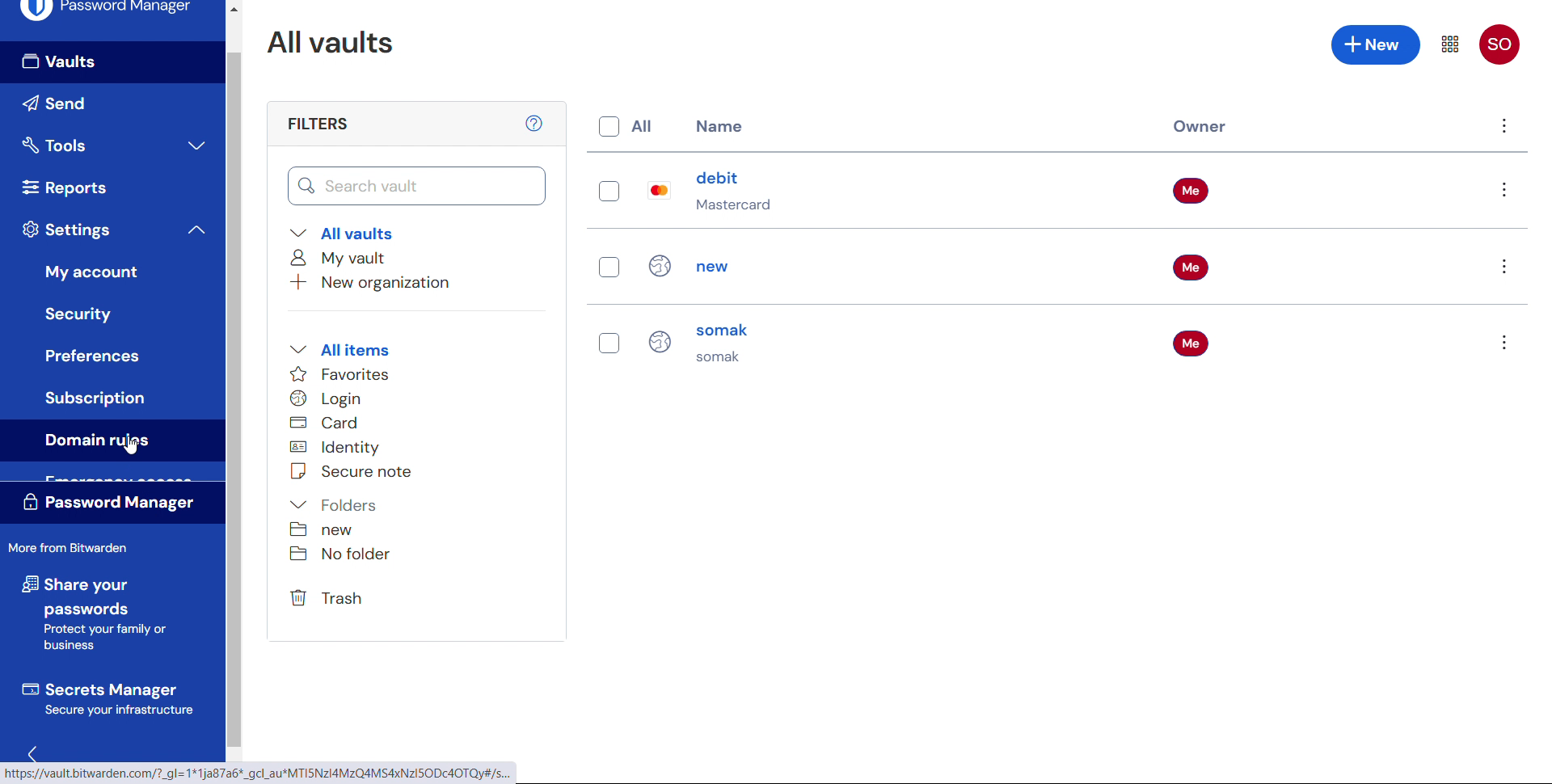 The image size is (1552, 784). I want to click on trash , so click(329, 598).